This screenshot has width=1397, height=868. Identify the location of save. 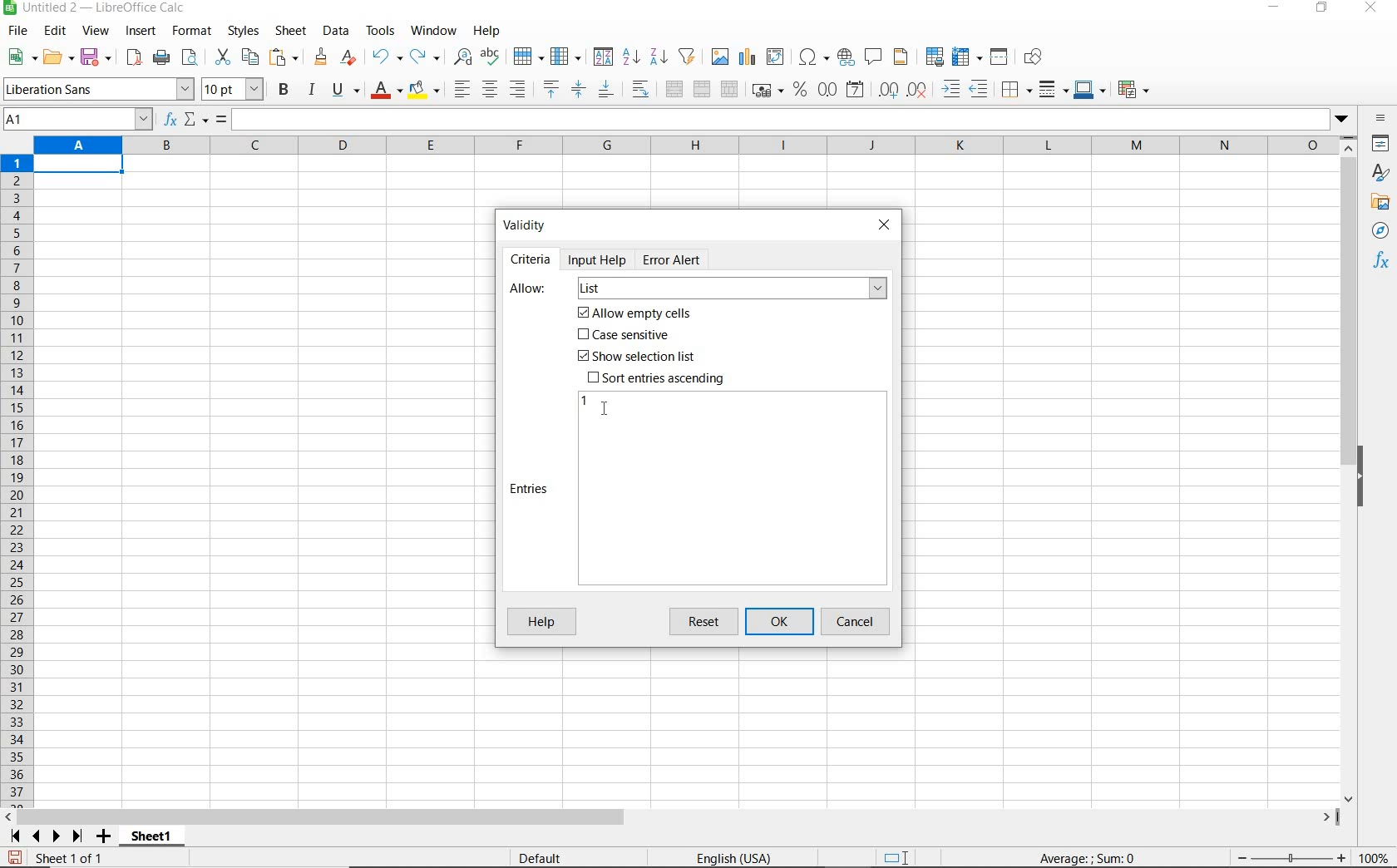
(97, 57).